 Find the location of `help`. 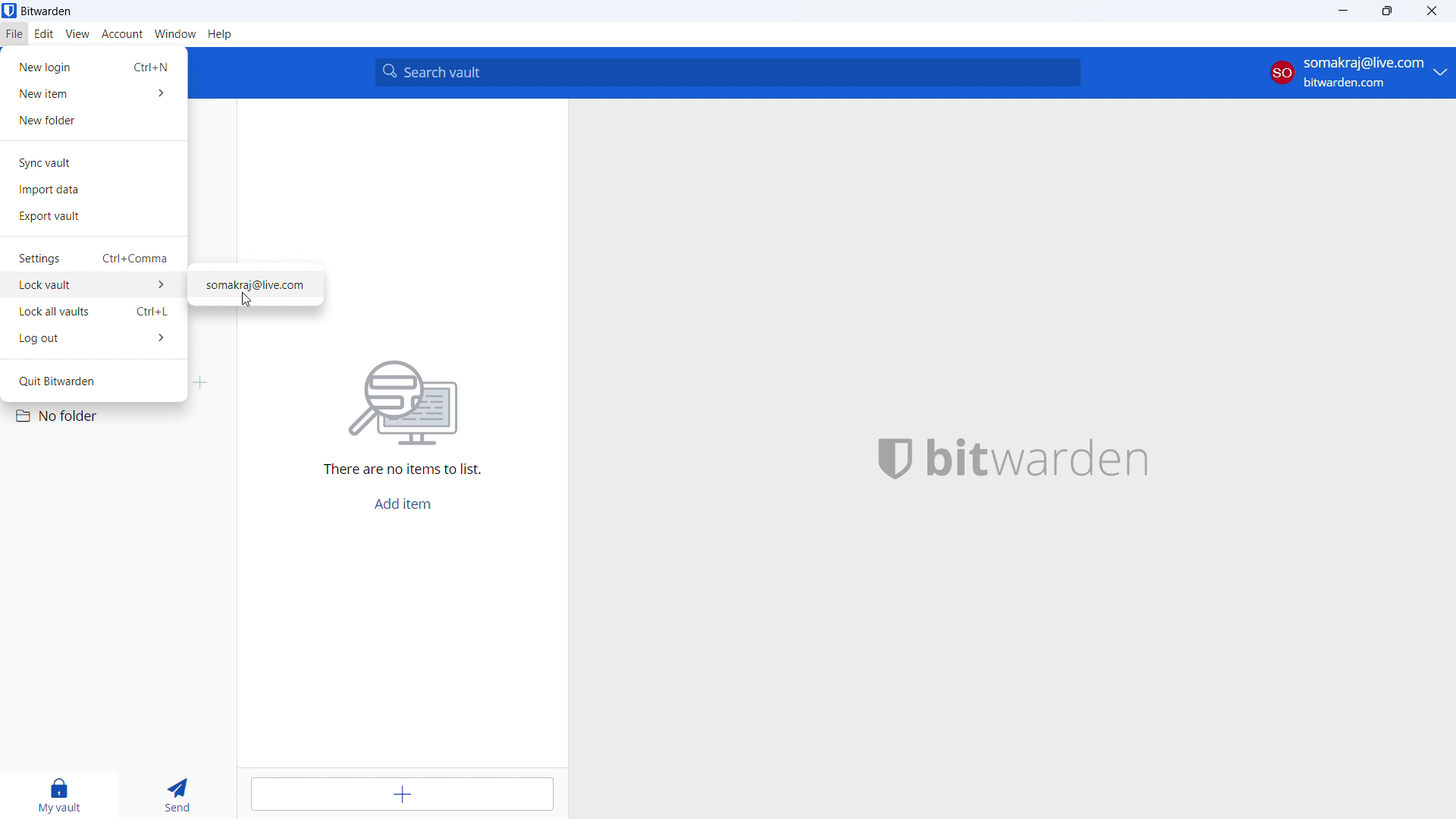

help is located at coordinates (220, 34).